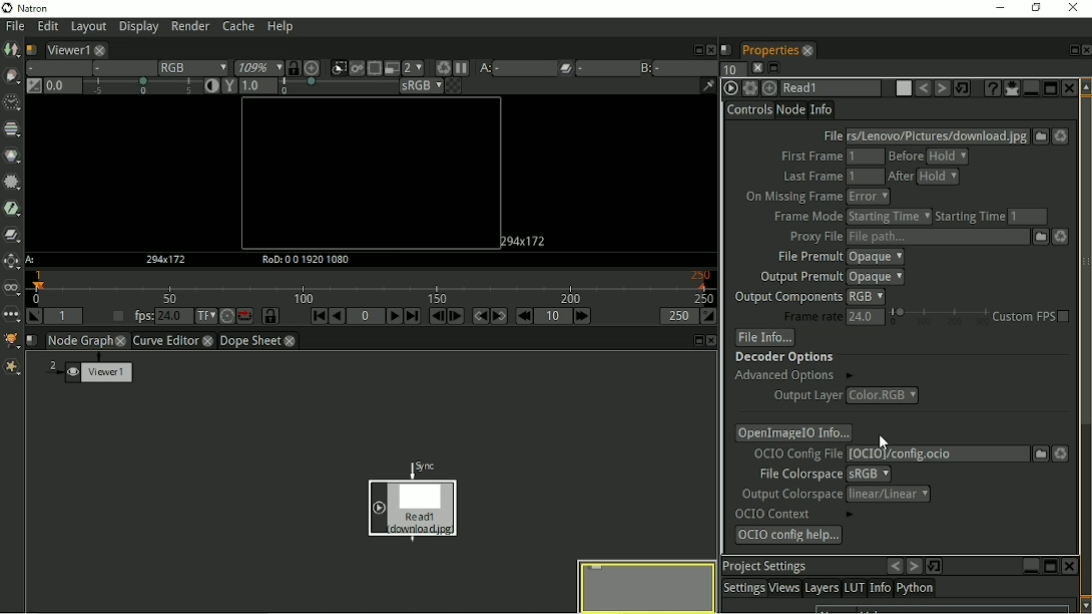 Image resolution: width=1092 pixels, height=614 pixels. I want to click on maximize pane, so click(776, 68).